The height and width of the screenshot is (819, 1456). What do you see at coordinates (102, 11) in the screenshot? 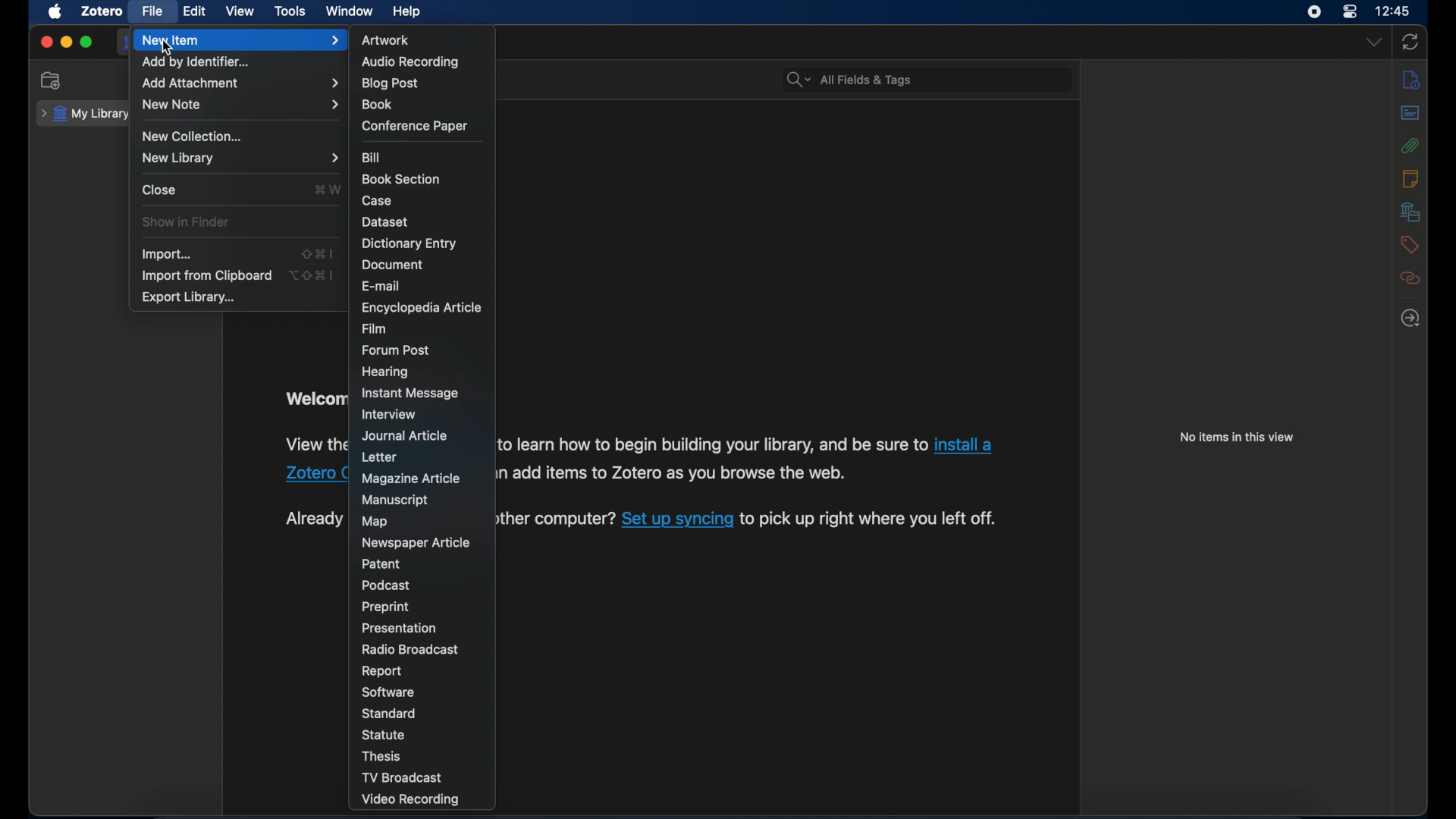
I see `zotero` at bounding box center [102, 11].